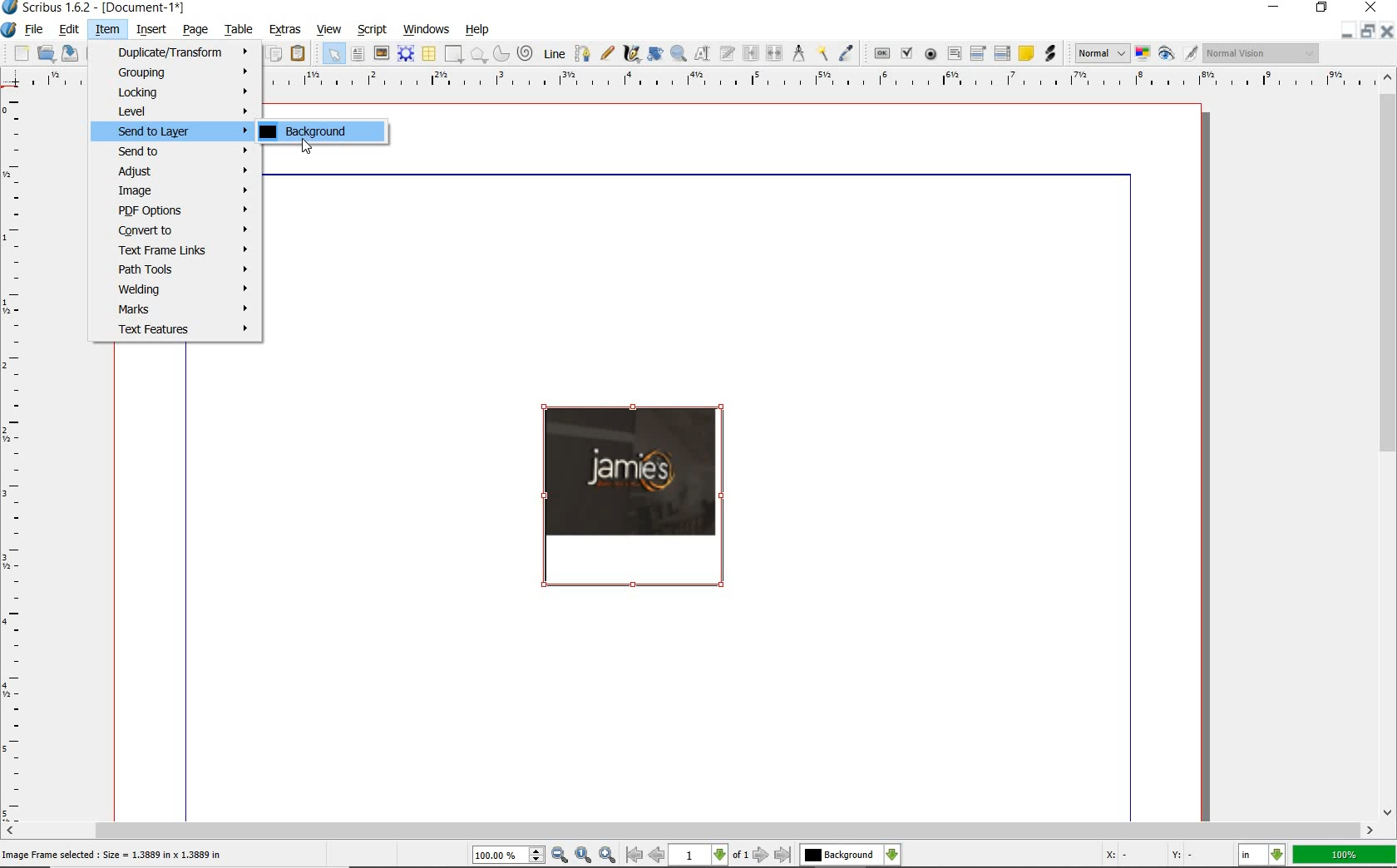 The width and height of the screenshot is (1397, 868). I want to click on edit contents of frame, so click(654, 54).